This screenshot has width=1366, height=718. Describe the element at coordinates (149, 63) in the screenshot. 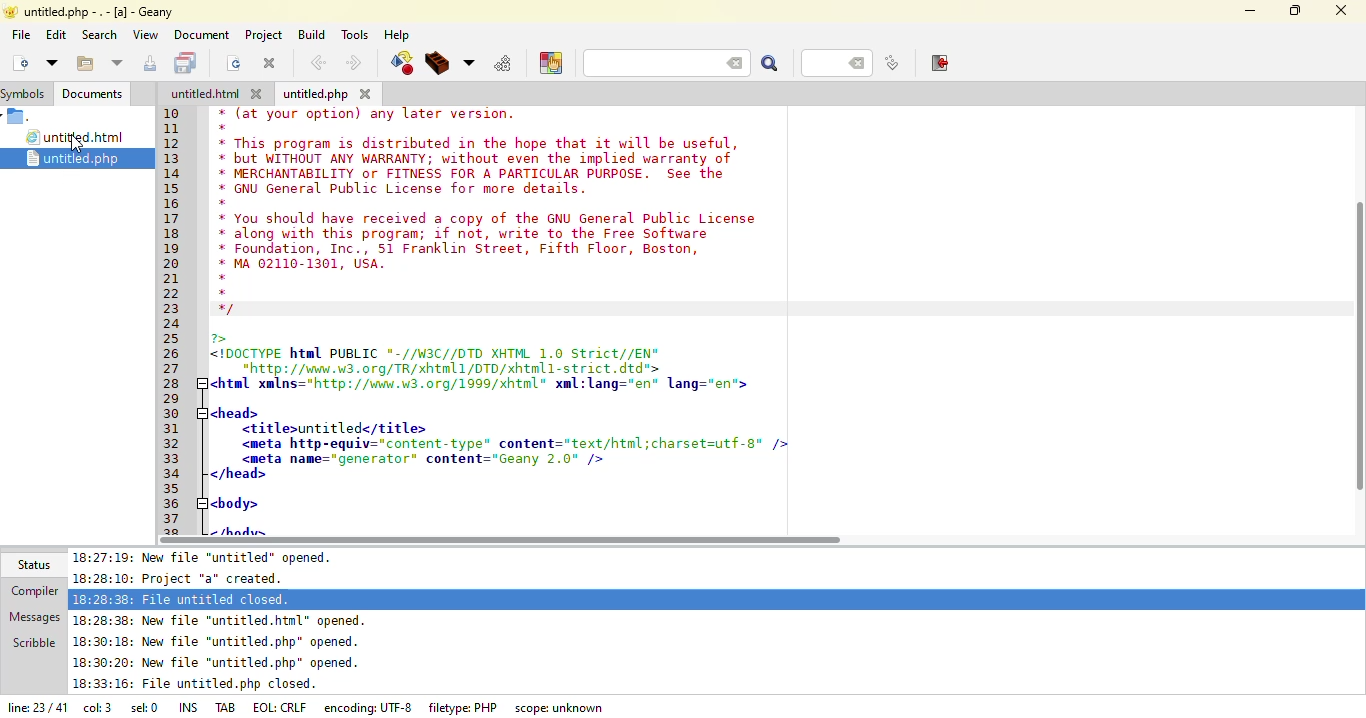

I see `save current fle` at that location.